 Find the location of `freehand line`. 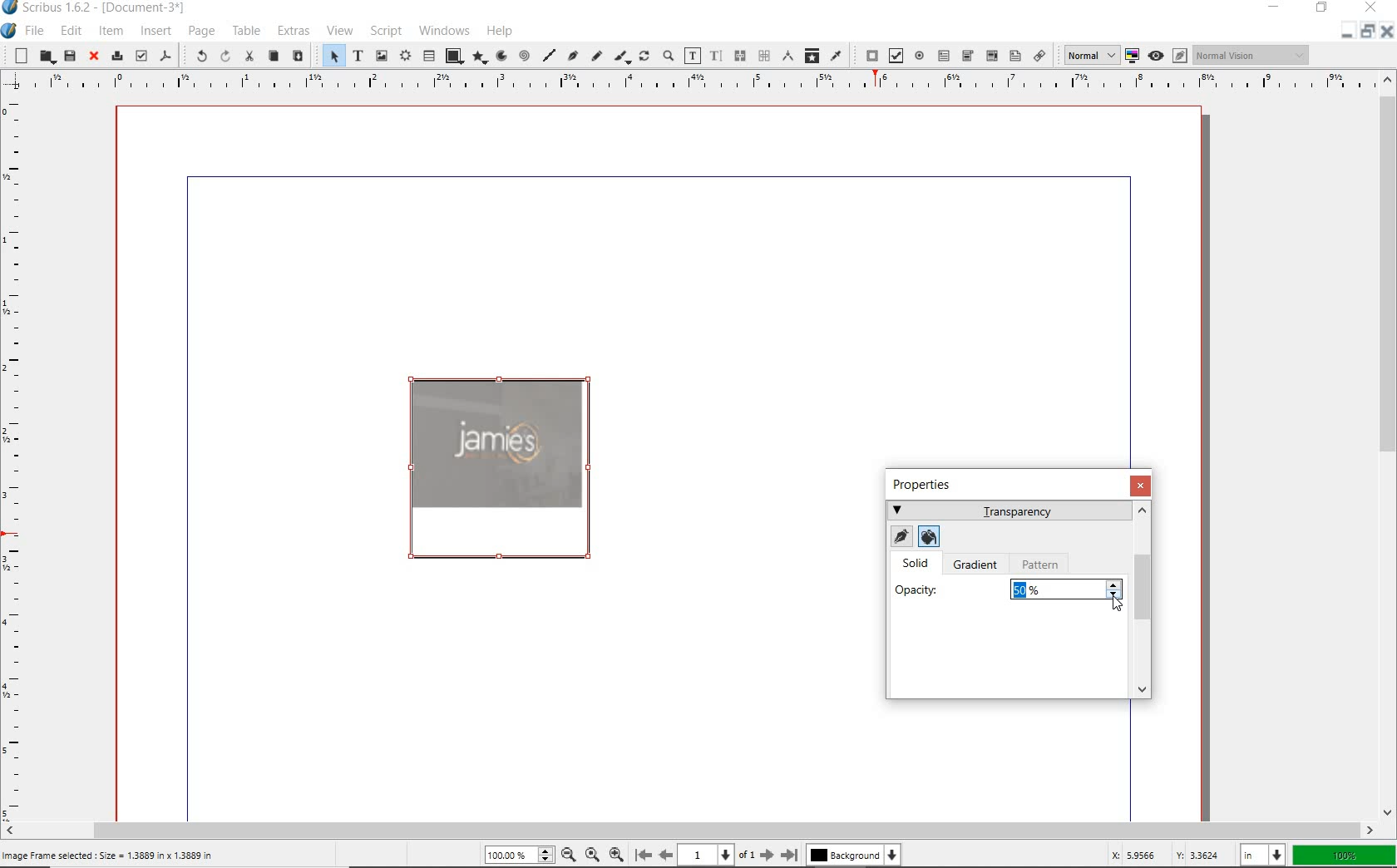

freehand line is located at coordinates (594, 55).